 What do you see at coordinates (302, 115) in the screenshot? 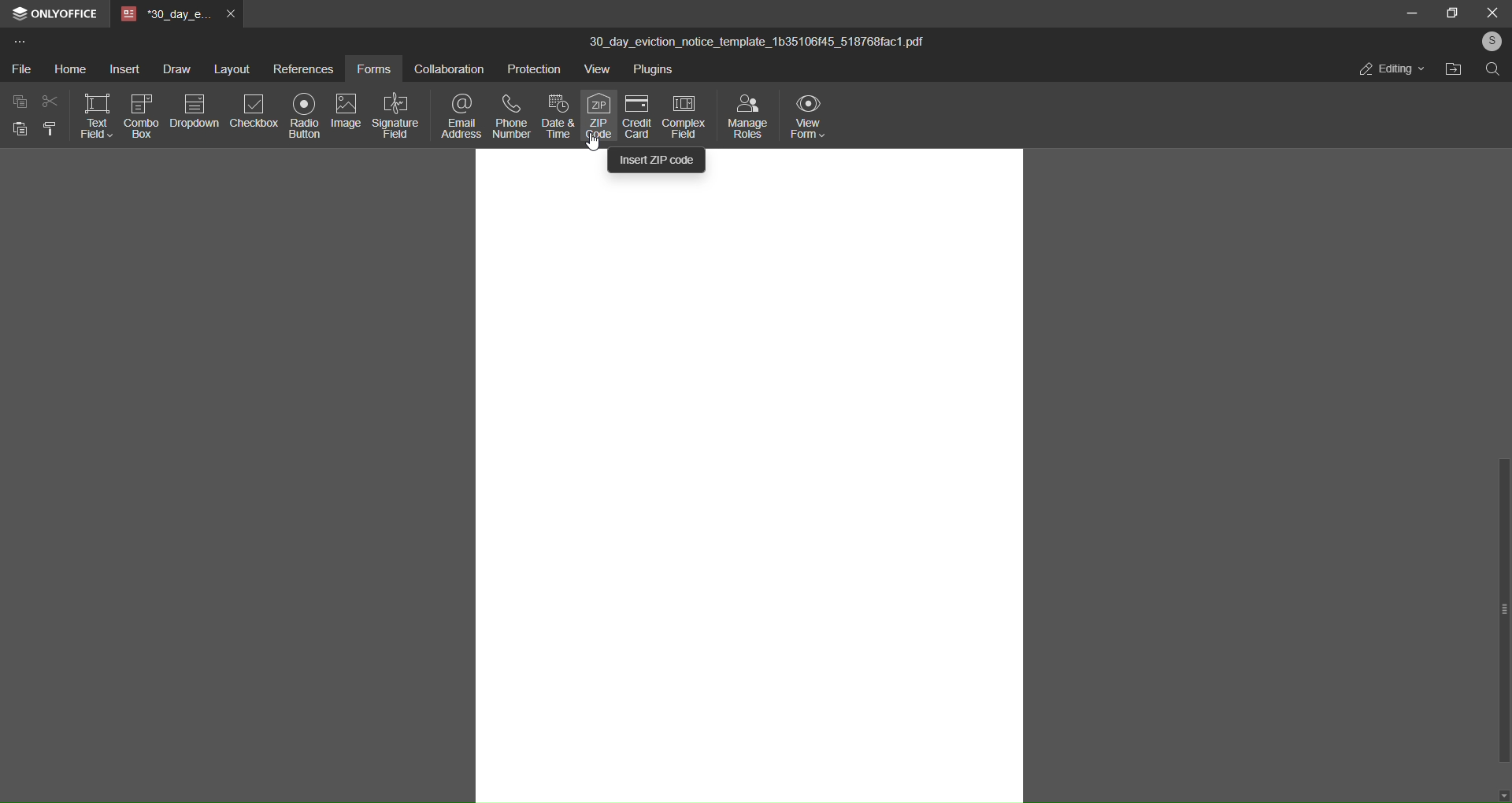
I see `radio button` at bounding box center [302, 115].